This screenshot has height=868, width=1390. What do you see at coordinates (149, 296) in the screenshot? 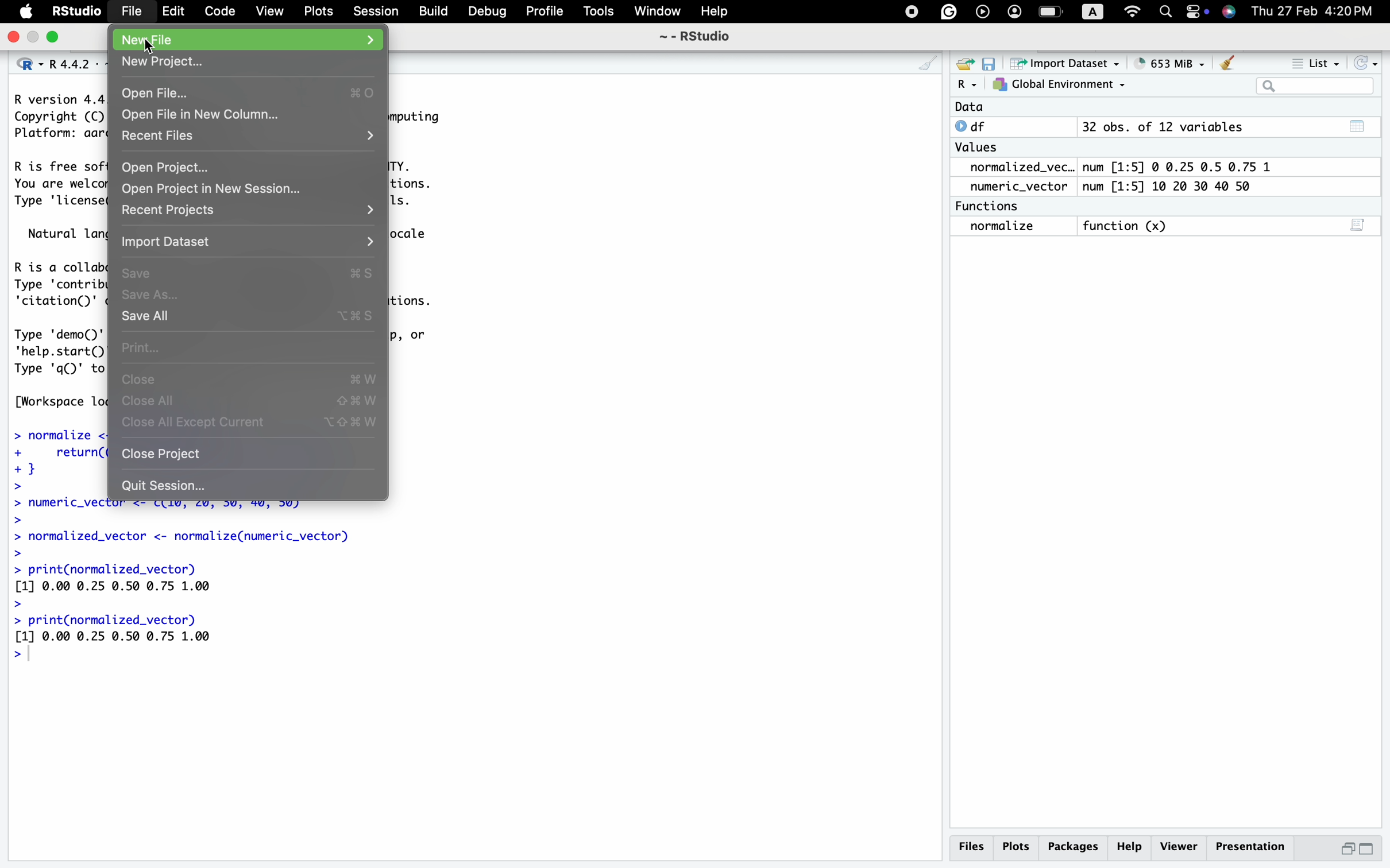
I see `Save AS` at bounding box center [149, 296].